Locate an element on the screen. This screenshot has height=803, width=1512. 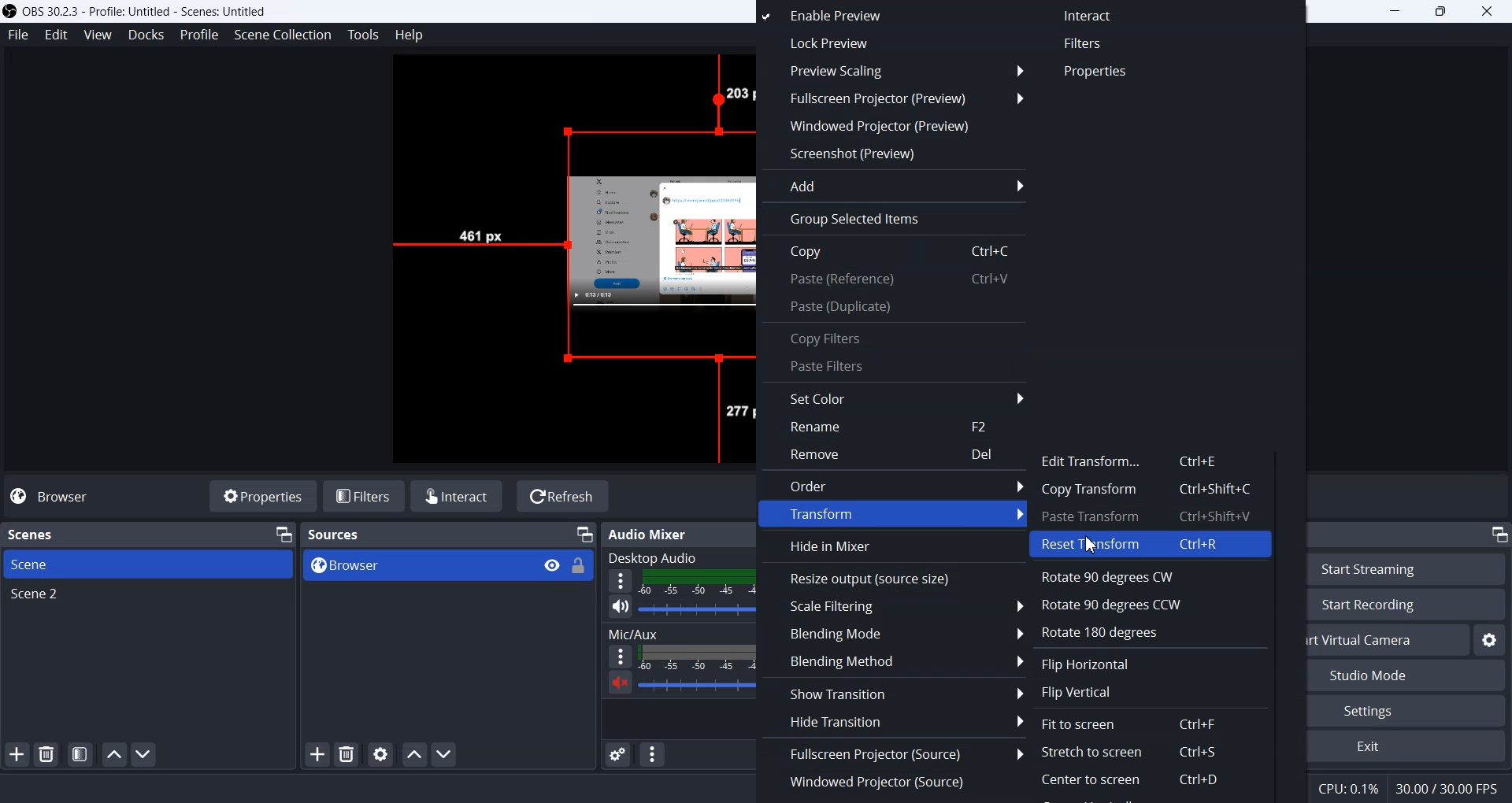
Windowed Projector(preview) is located at coordinates (895, 128).